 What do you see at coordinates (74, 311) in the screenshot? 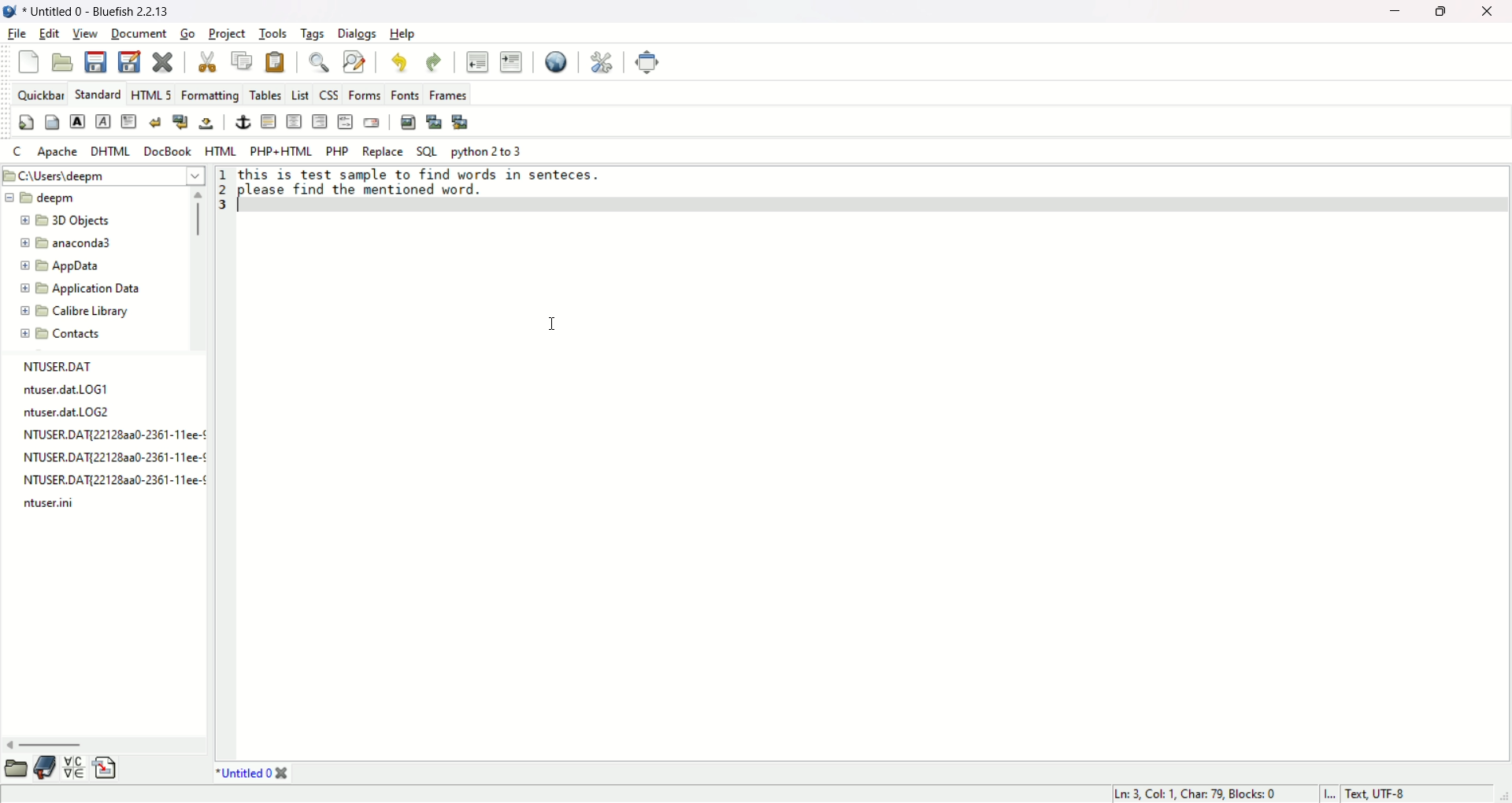
I see `calibre library` at bounding box center [74, 311].